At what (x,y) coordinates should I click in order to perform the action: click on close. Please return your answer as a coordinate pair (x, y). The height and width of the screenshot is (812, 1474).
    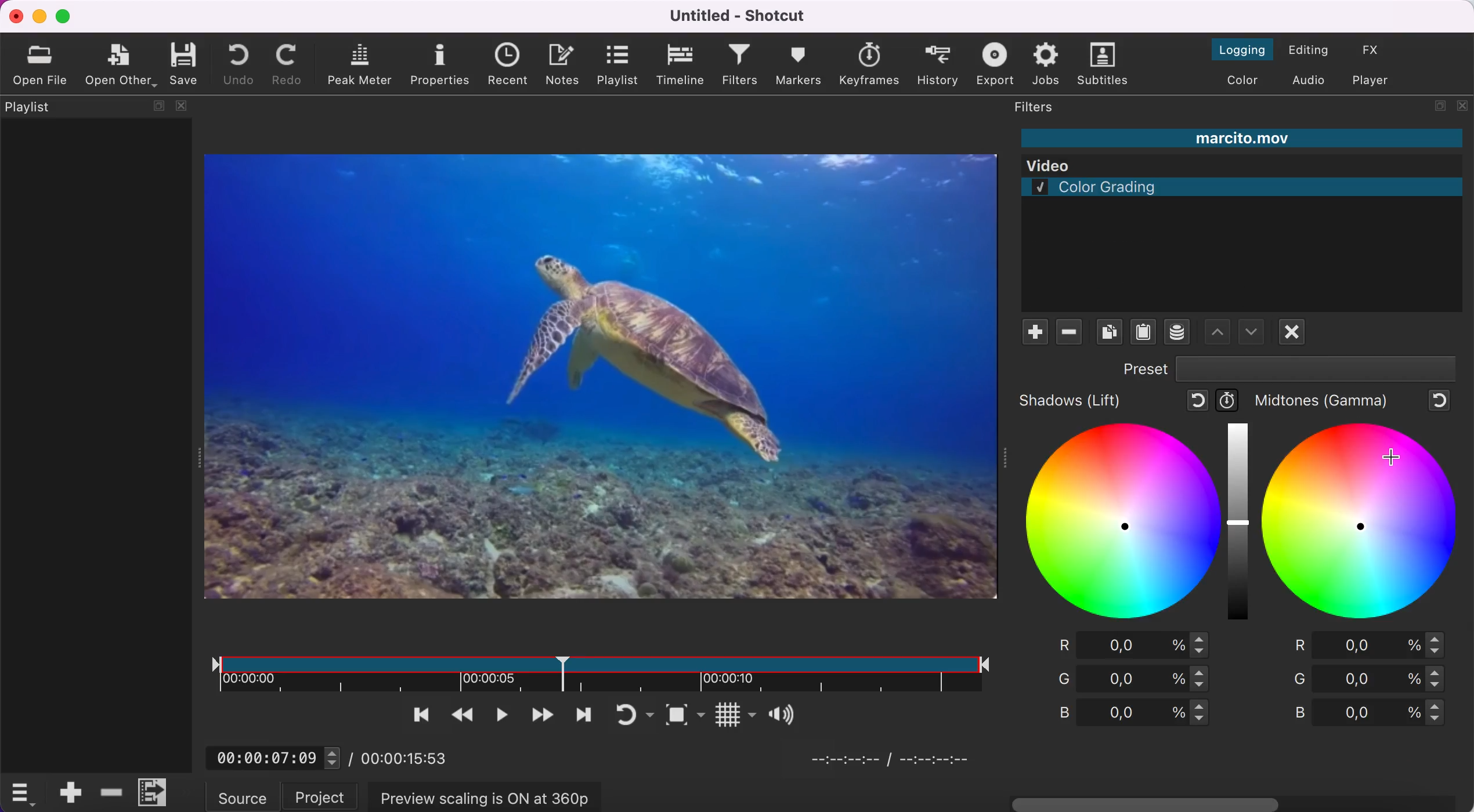
    Looking at the image, I should click on (15, 16).